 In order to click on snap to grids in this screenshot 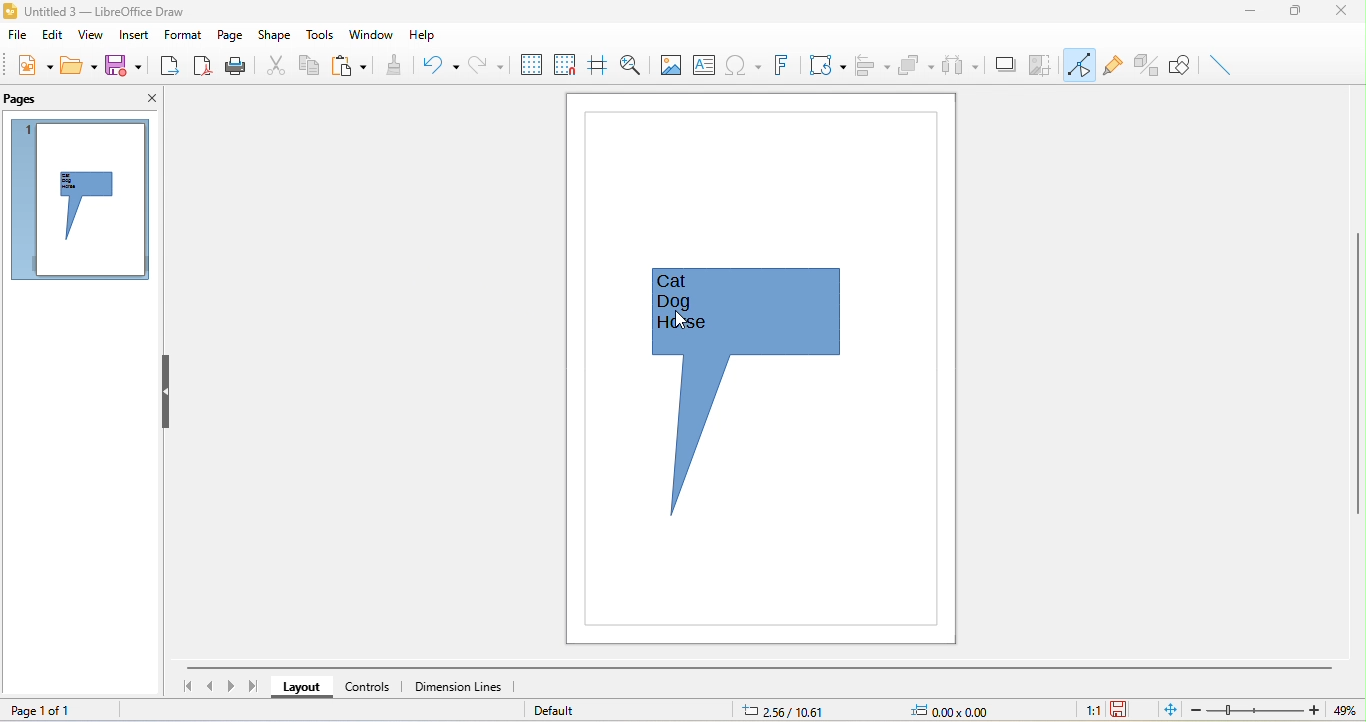, I will do `click(566, 67)`.